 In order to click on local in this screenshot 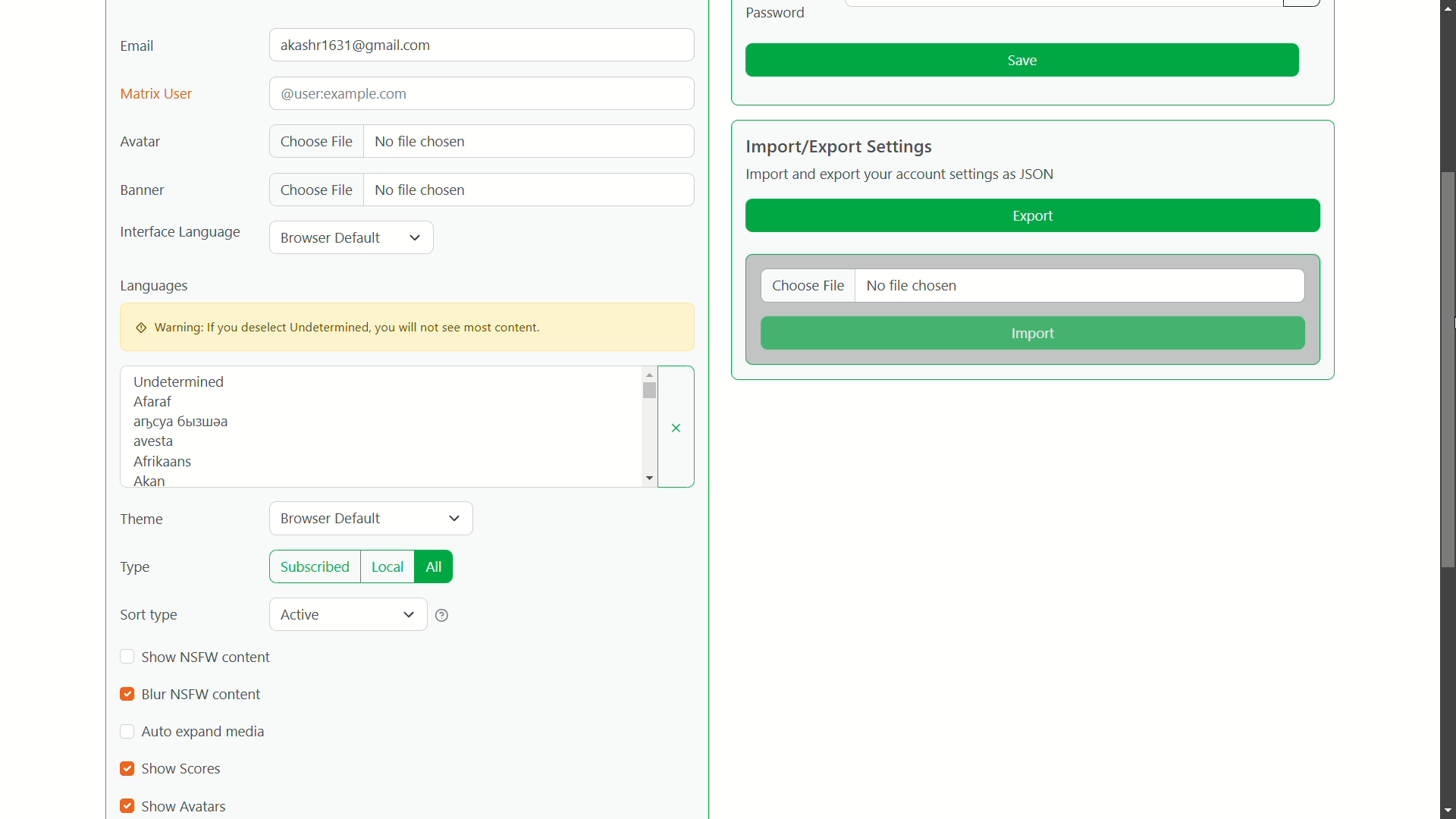, I will do `click(388, 566)`.